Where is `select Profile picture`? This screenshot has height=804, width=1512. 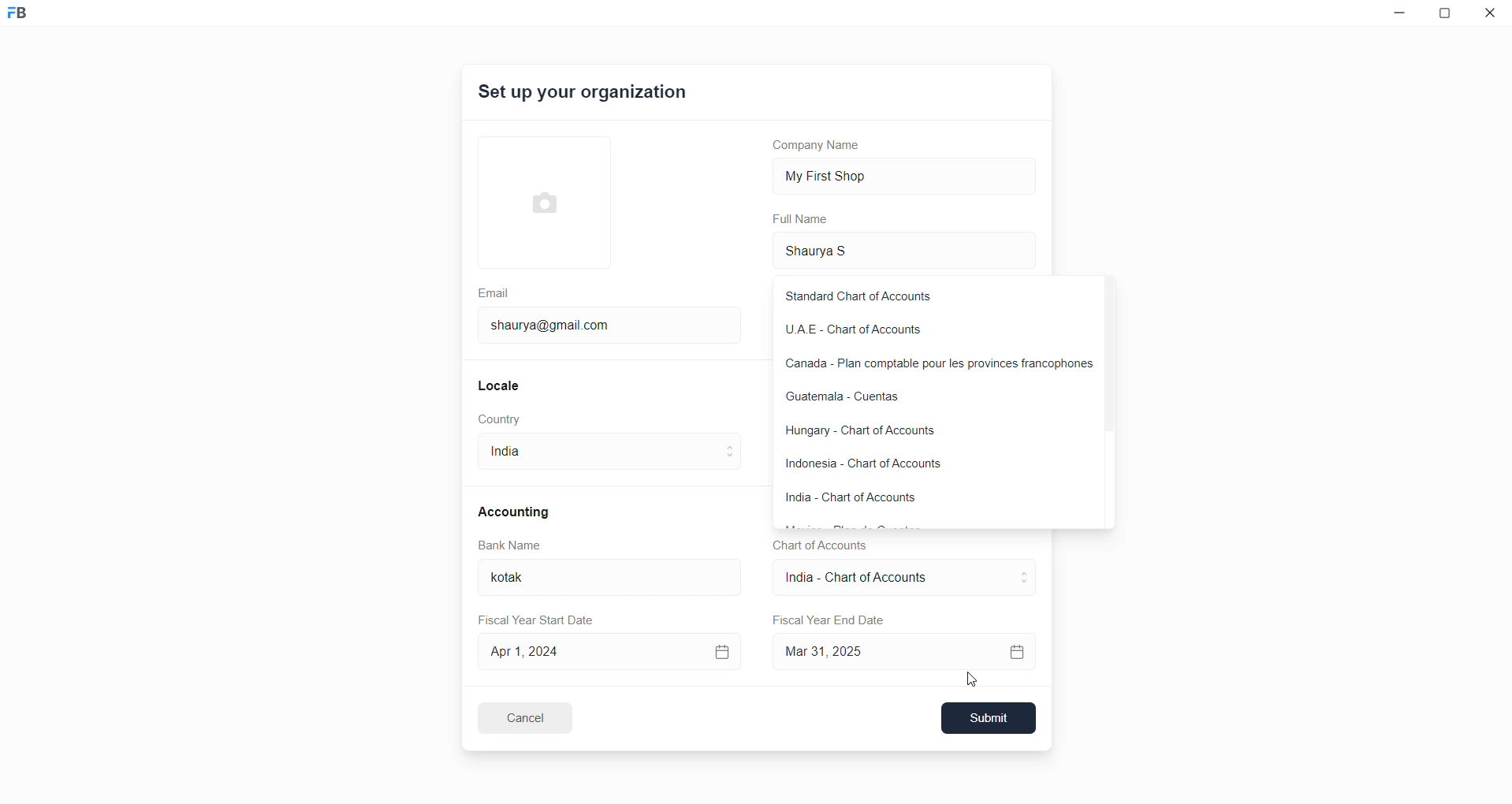 select Profile picture is located at coordinates (537, 200).